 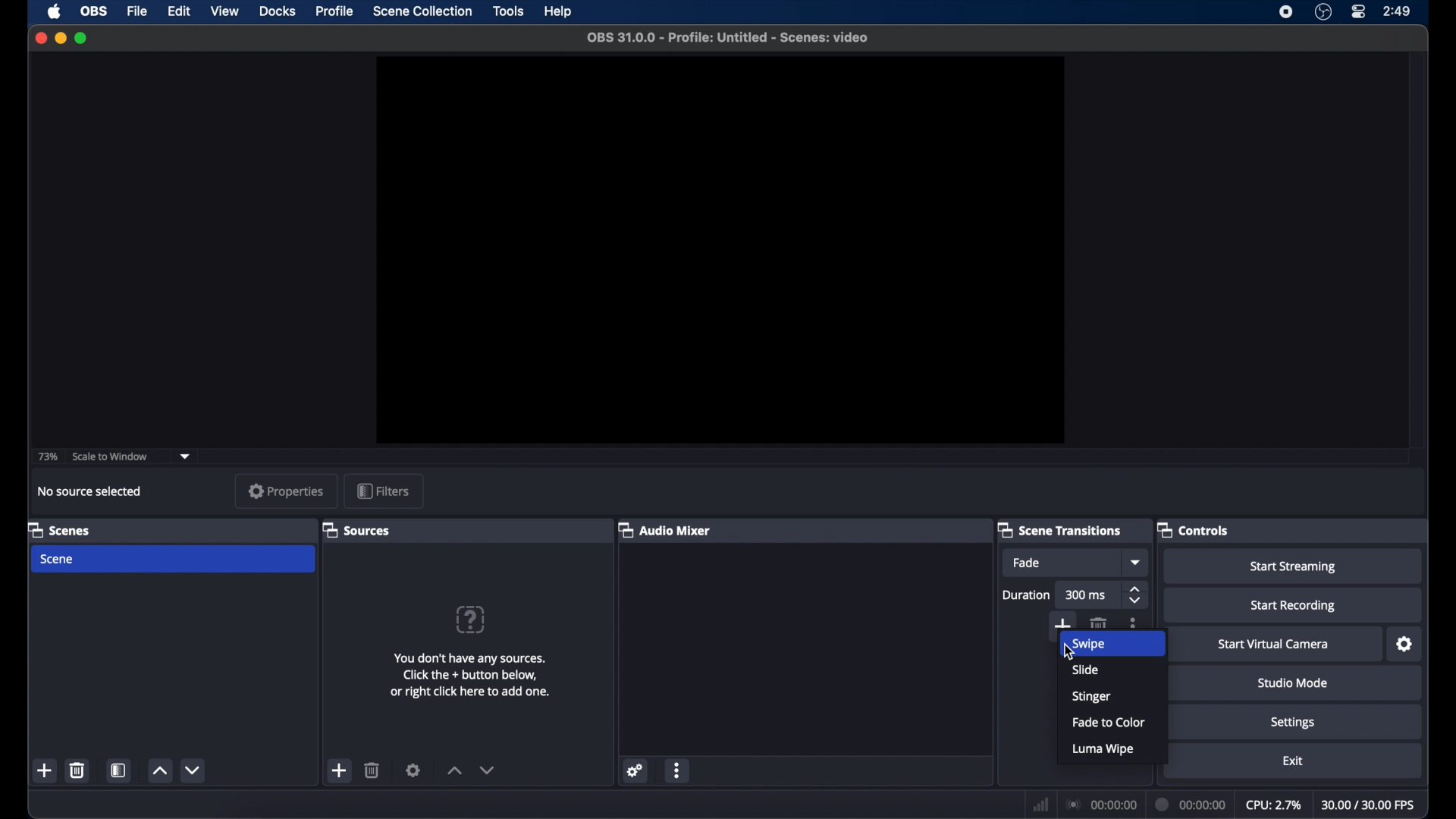 What do you see at coordinates (1293, 761) in the screenshot?
I see `exit` at bounding box center [1293, 761].